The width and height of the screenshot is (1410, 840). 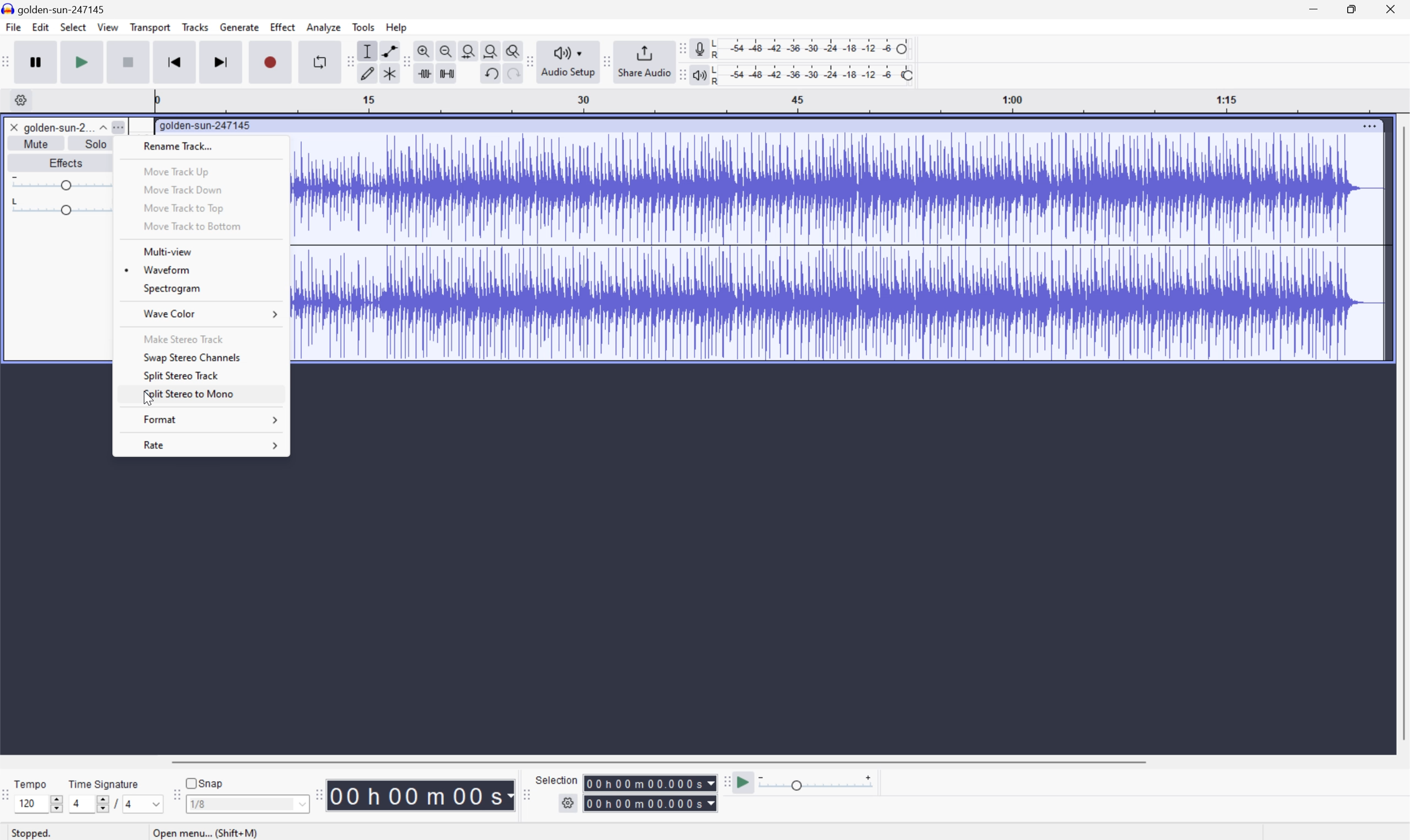 I want to click on Slider, so click(x=100, y=803).